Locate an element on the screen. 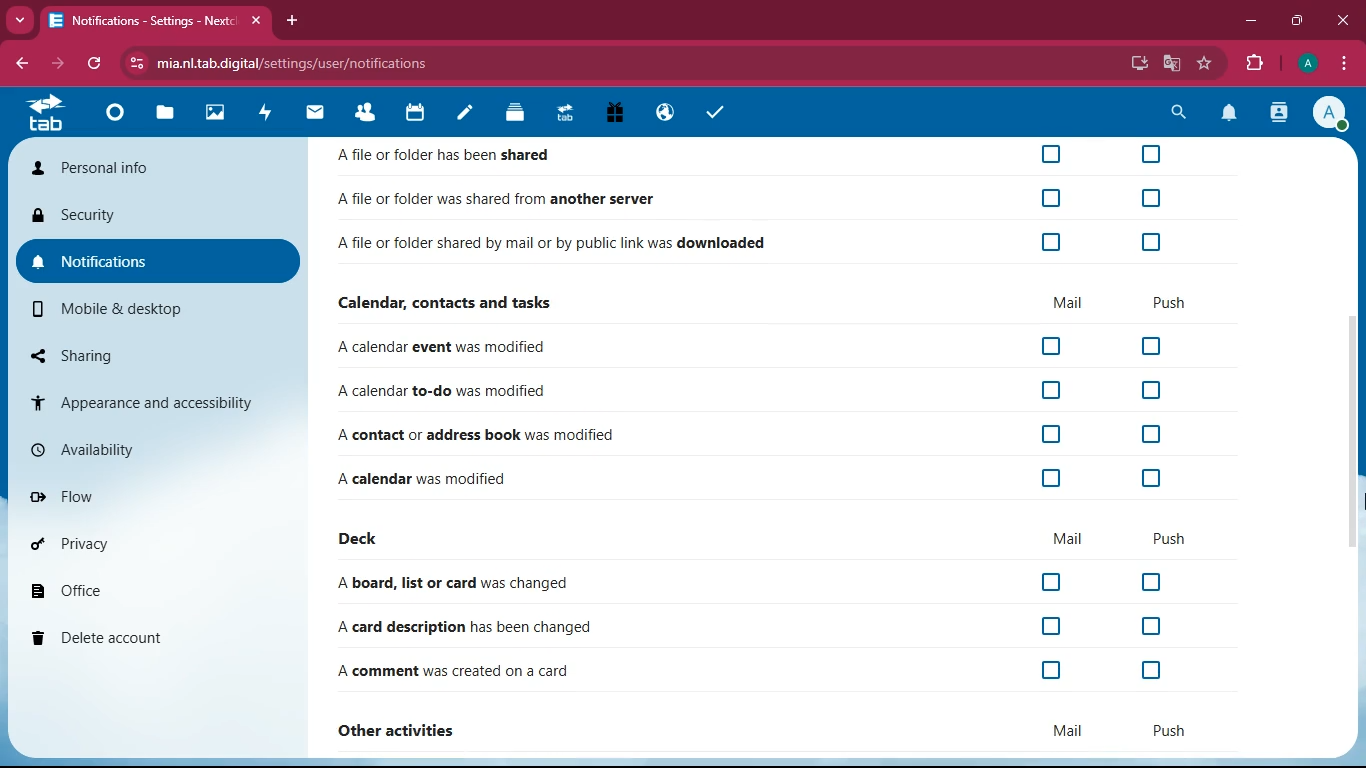  off is located at coordinates (1054, 346).